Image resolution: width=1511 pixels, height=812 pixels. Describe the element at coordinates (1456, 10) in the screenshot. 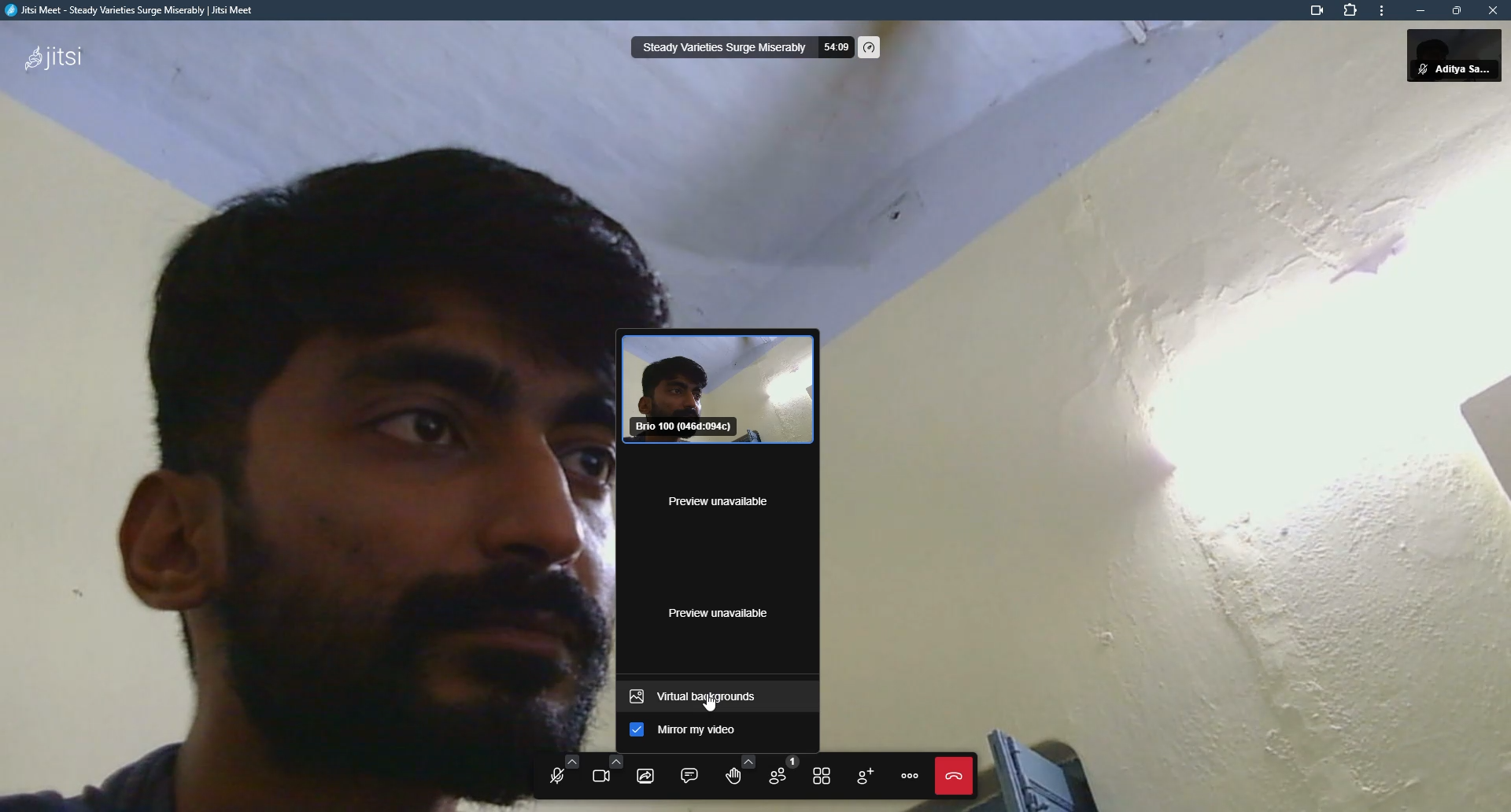

I see `maximize` at that location.